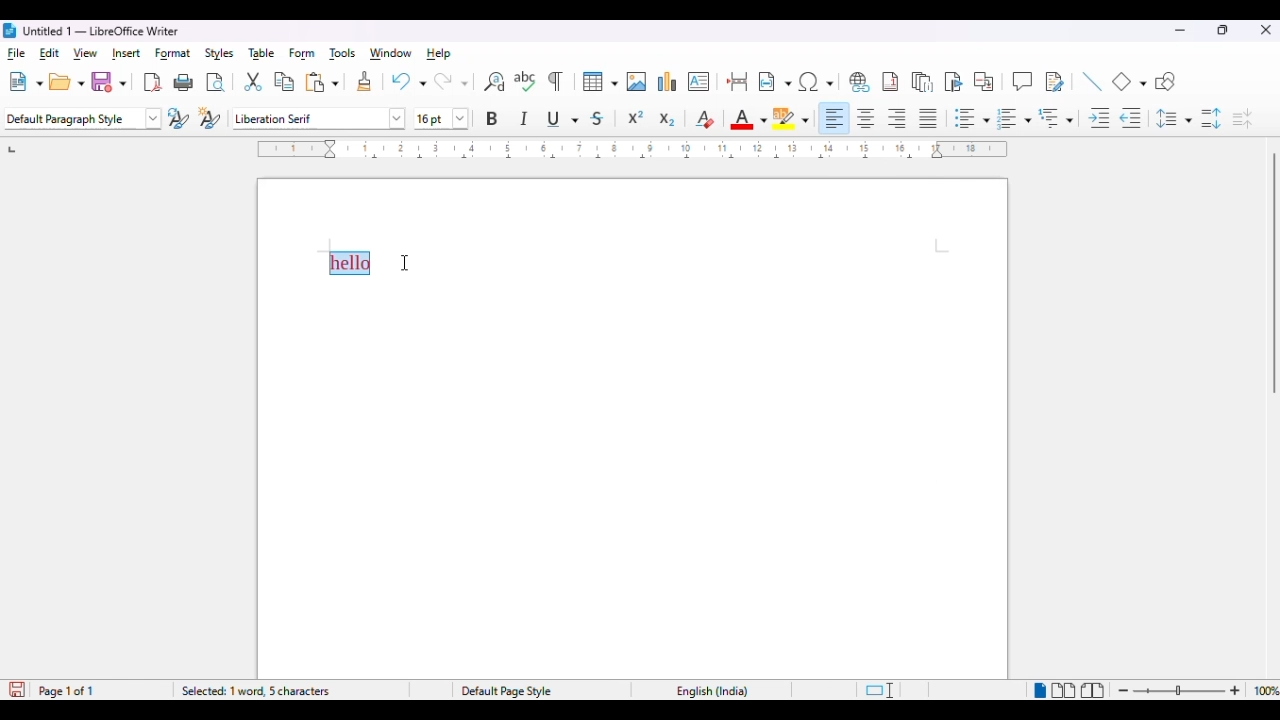  I want to click on increase paragraph spacing, so click(1211, 119).